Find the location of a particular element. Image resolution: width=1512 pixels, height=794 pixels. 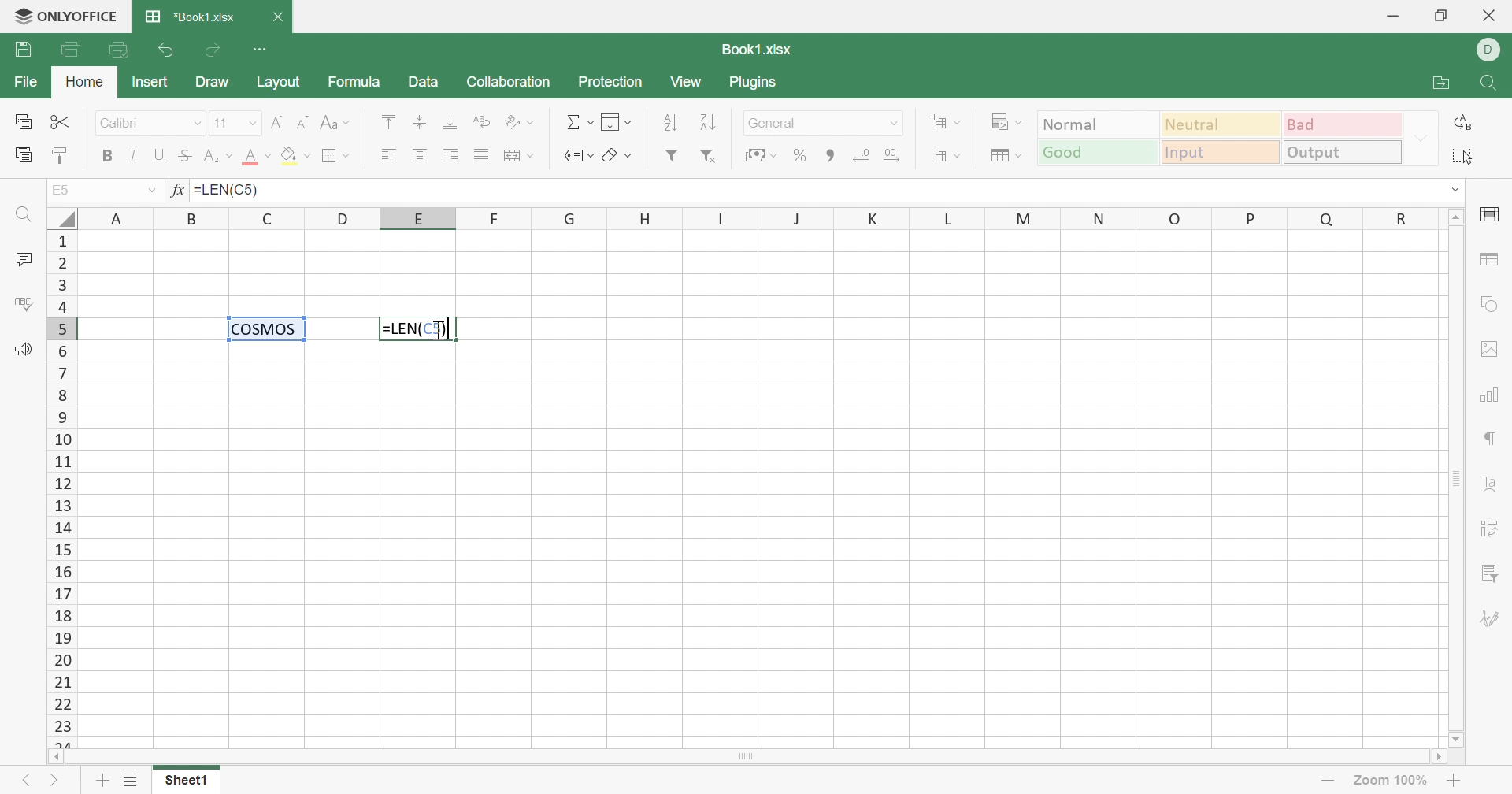

Print file is located at coordinates (72, 49).